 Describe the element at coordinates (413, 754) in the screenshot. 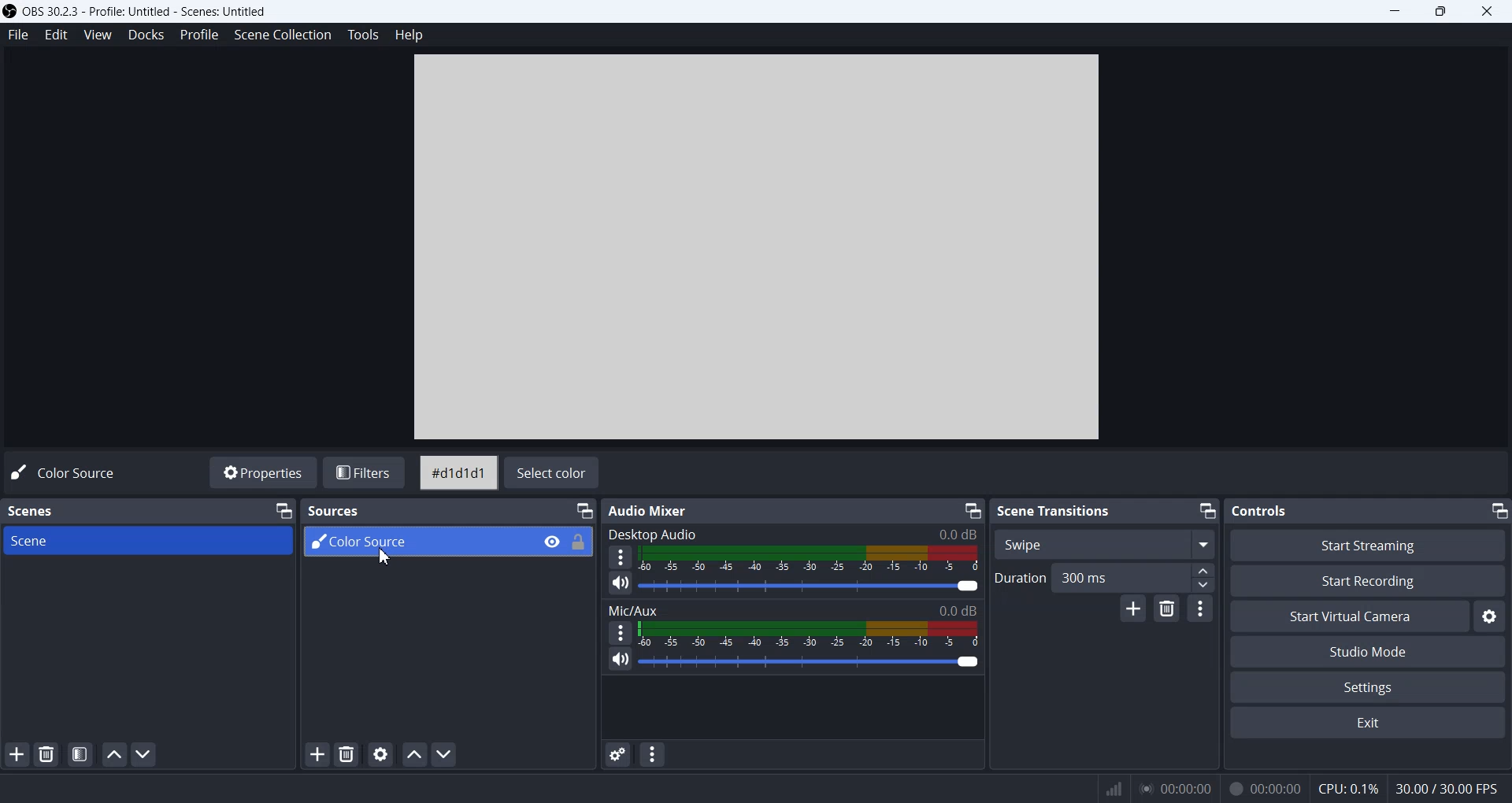

I see `Move source Up` at that location.